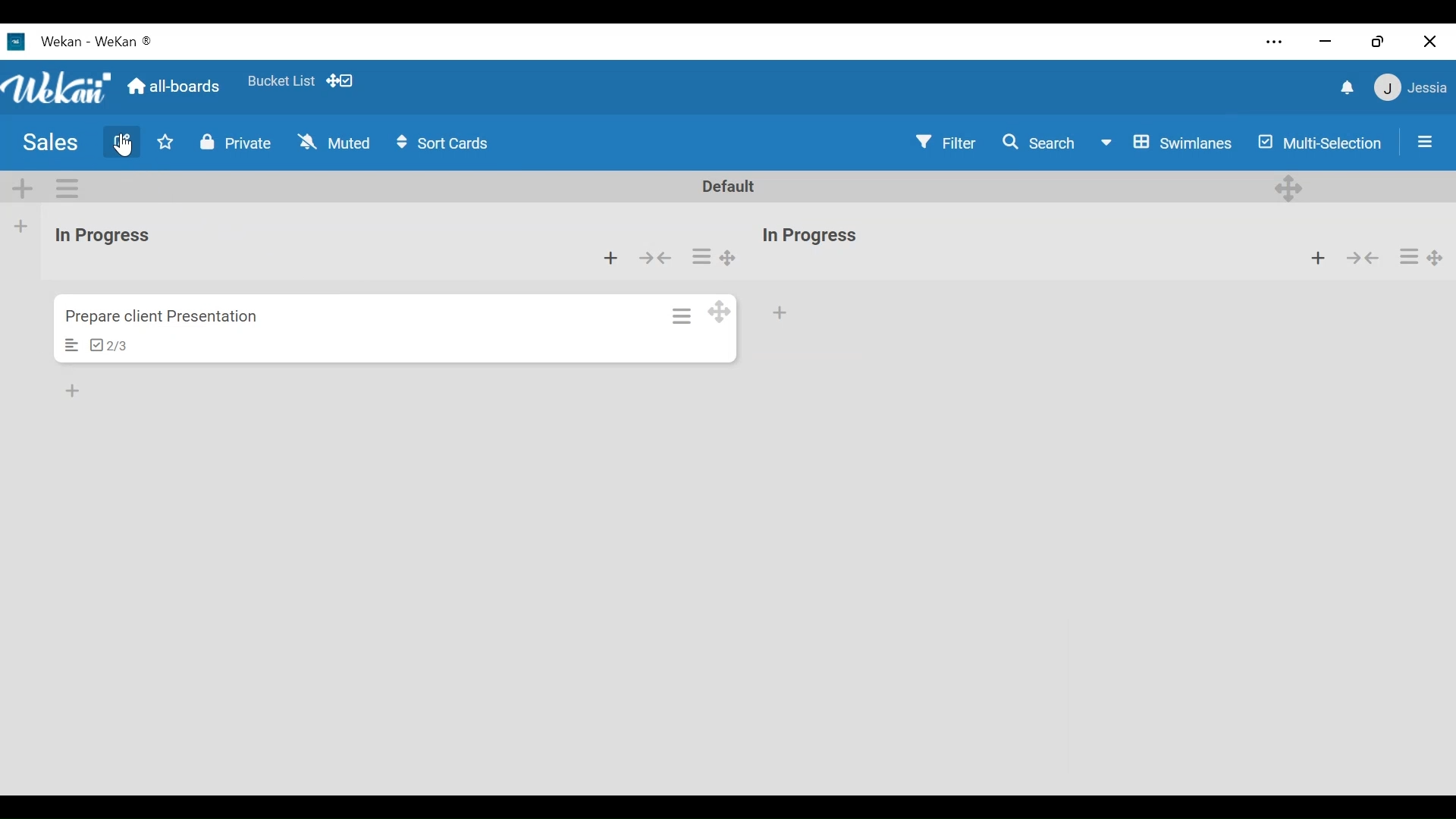 Image resolution: width=1456 pixels, height=819 pixels. What do you see at coordinates (65, 188) in the screenshot?
I see `Swimlane actions` at bounding box center [65, 188].